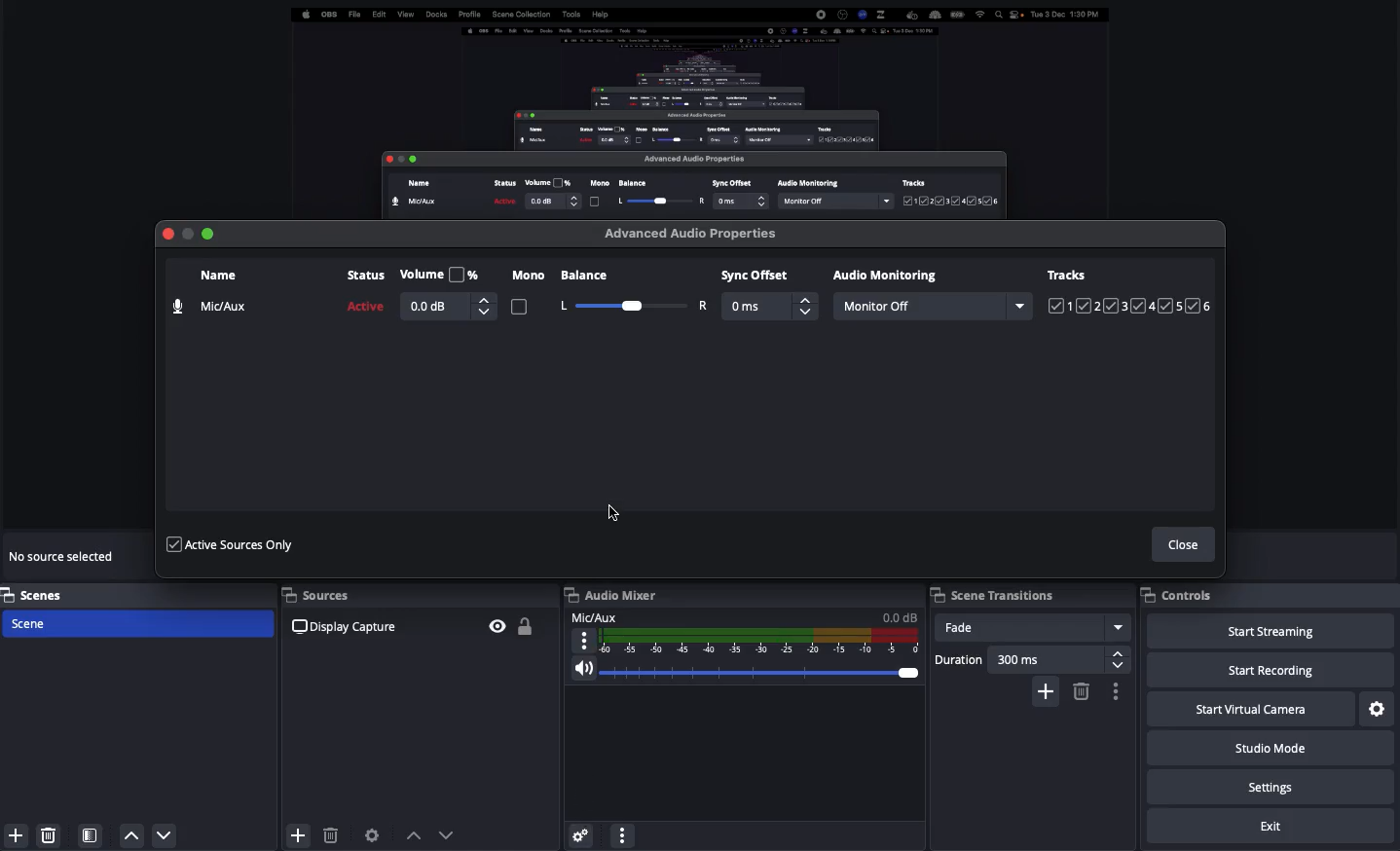 The width and height of the screenshot is (1400, 851). I want to click on Status, so click(366, 292).